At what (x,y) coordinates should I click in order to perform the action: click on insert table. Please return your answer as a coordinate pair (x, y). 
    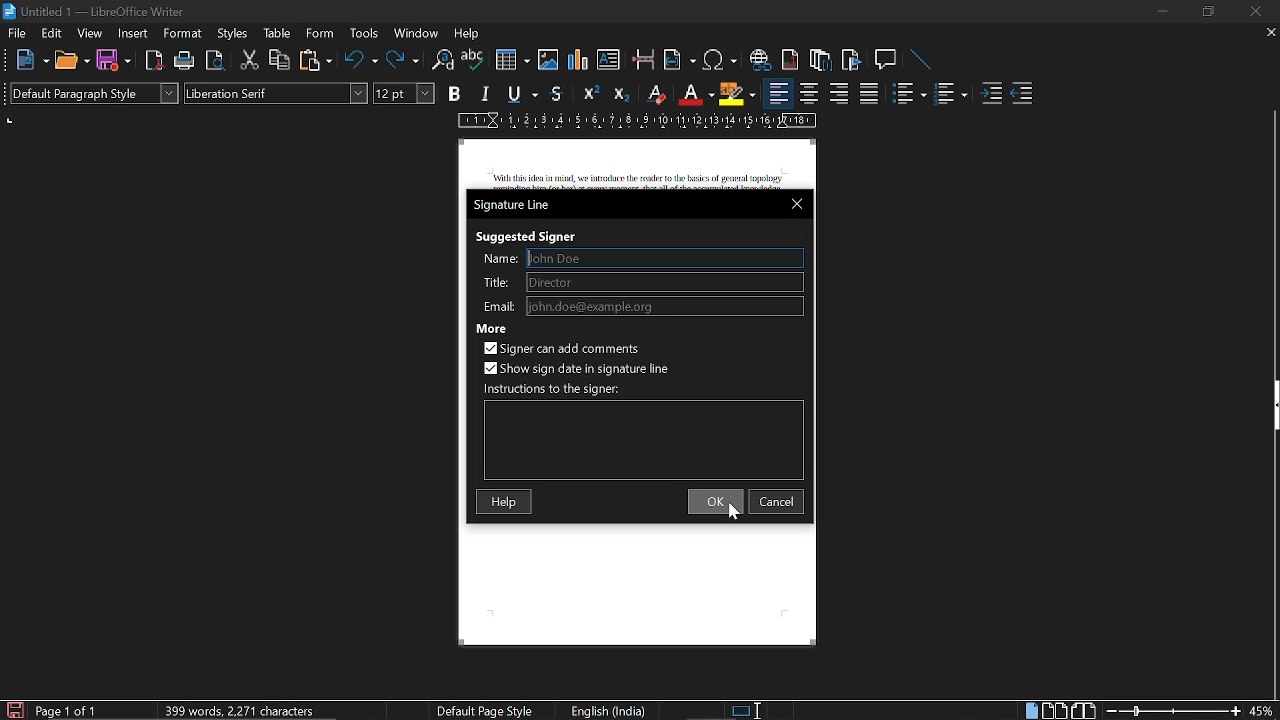
    Looking at the image, I should click on (511, 60).